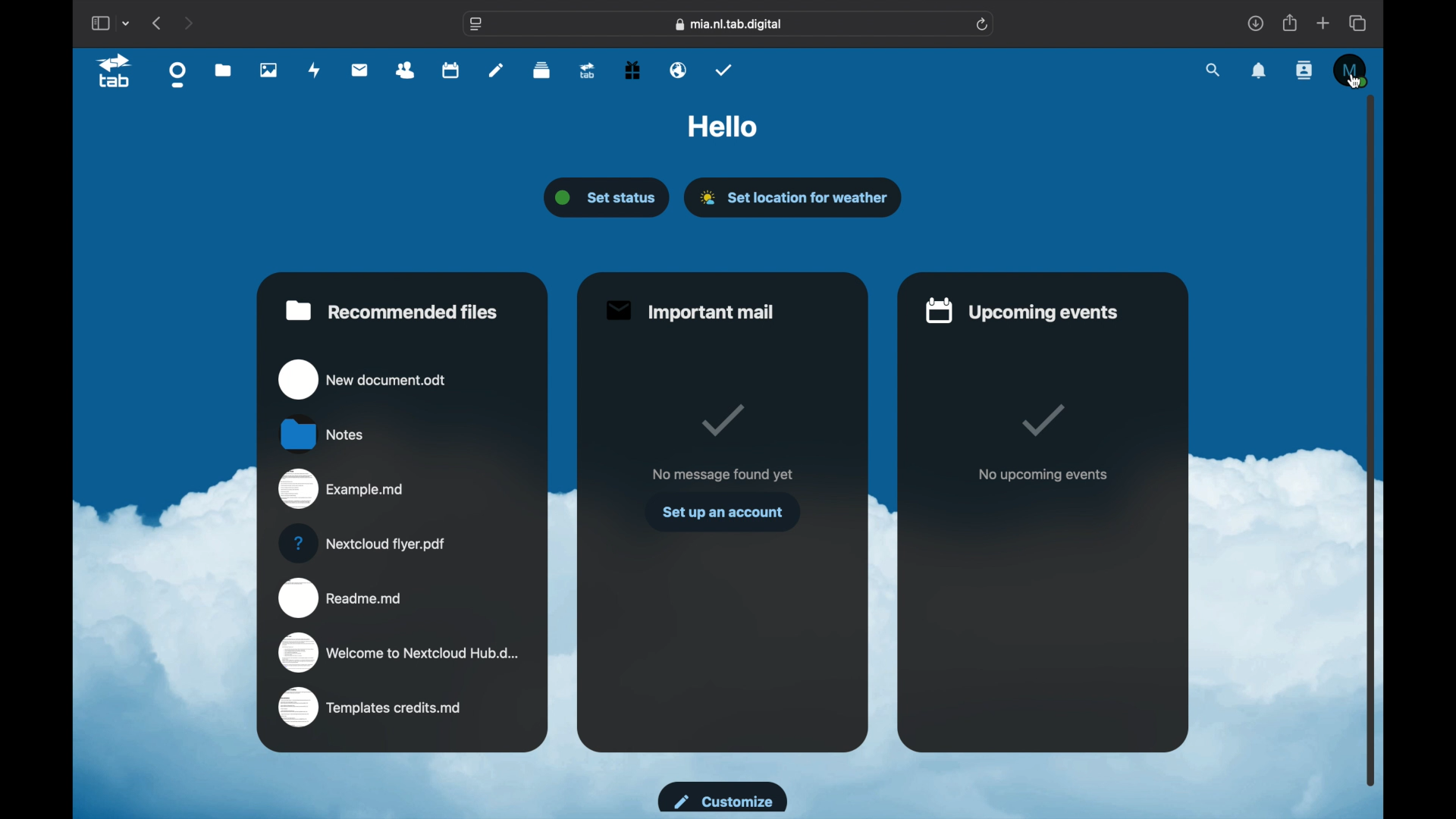 The height and width of the screenshot is (819, 1456). What do you see at coordinates (1214, 71) in the screenshot?
I see `search` at bounding box center [1214, 71].